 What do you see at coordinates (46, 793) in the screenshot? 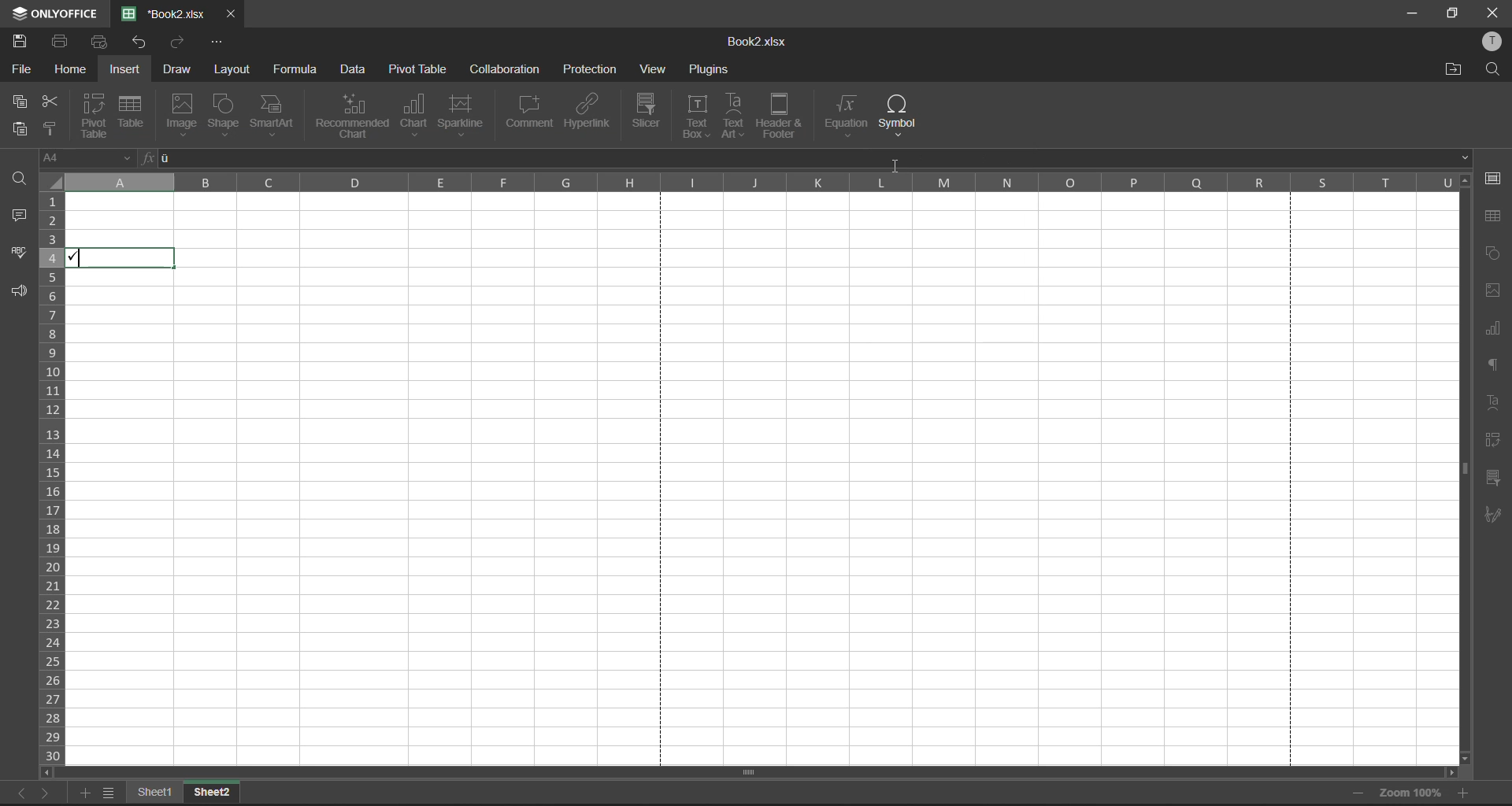
I see `next` at bounding box center [46, 793].